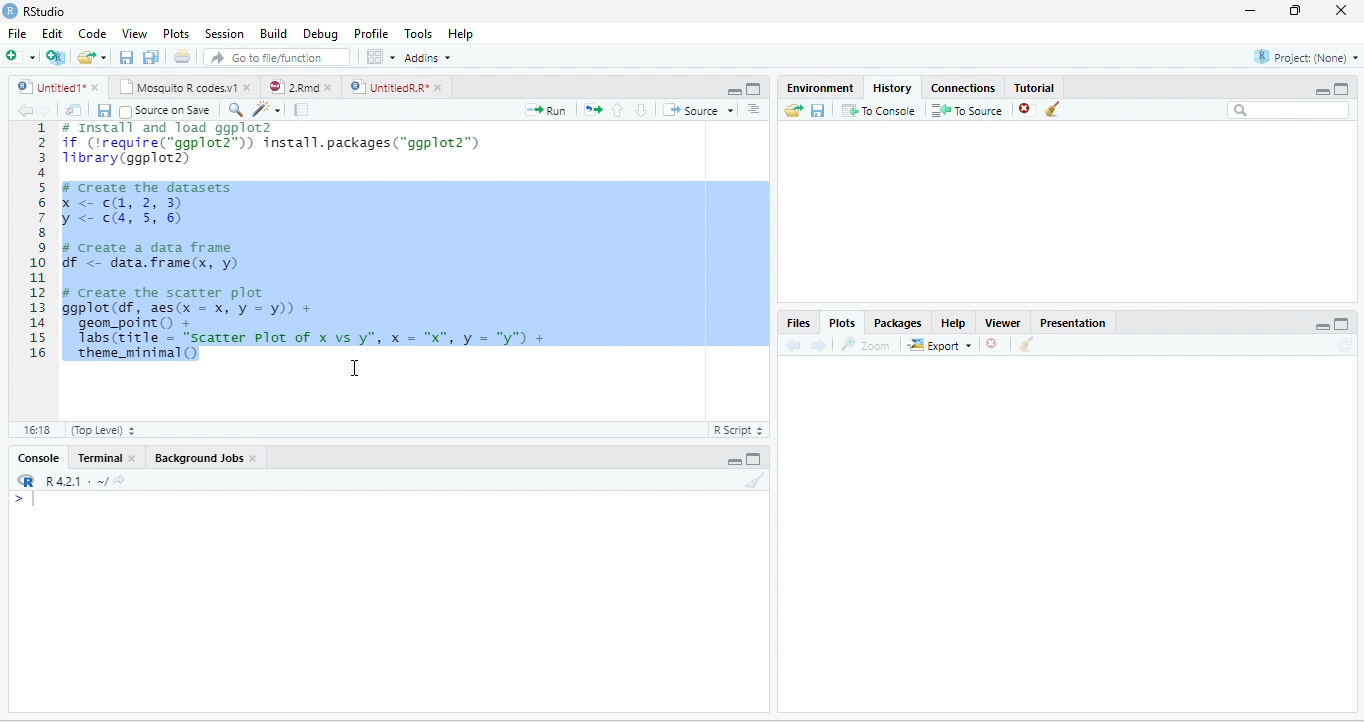 This screenshot has height=722, width=1364. I want to click on View the current working directory, so click(119, 479).